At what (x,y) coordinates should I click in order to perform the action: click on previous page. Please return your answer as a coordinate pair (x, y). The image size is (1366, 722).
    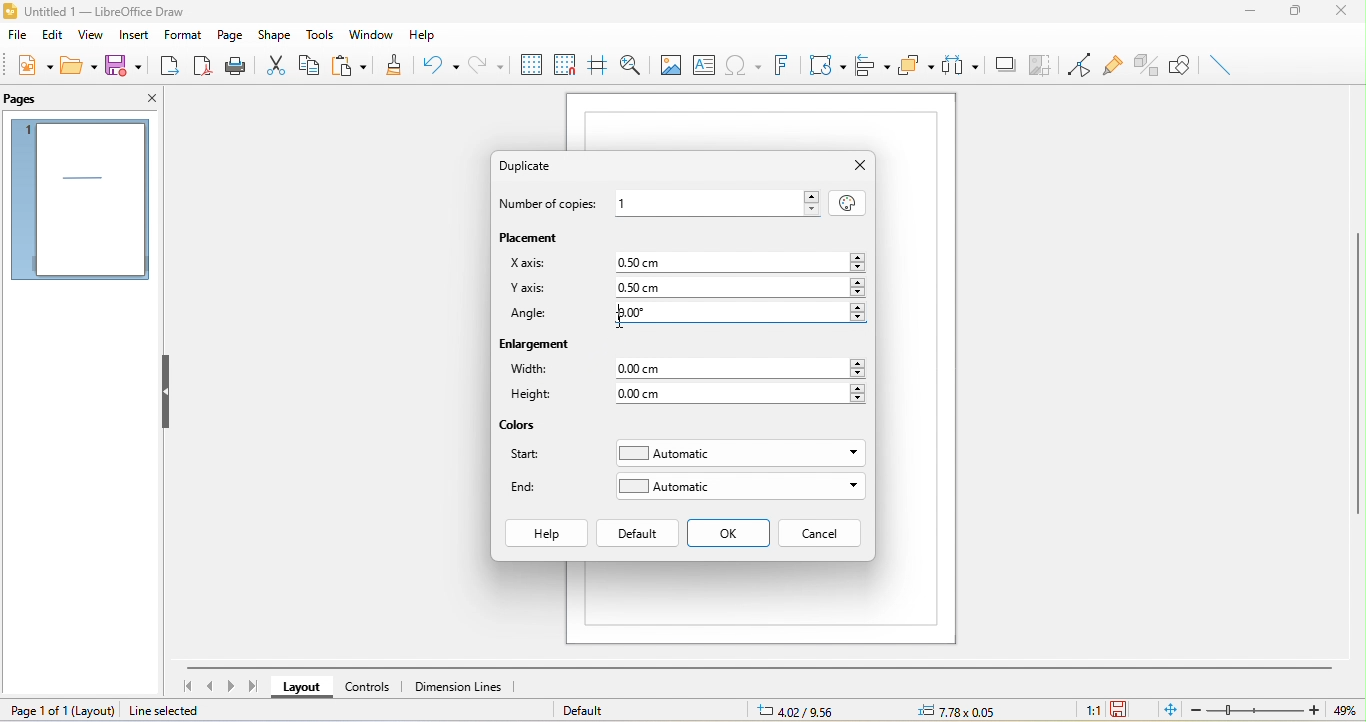
    Looking at the image, I should click on (210, 687).